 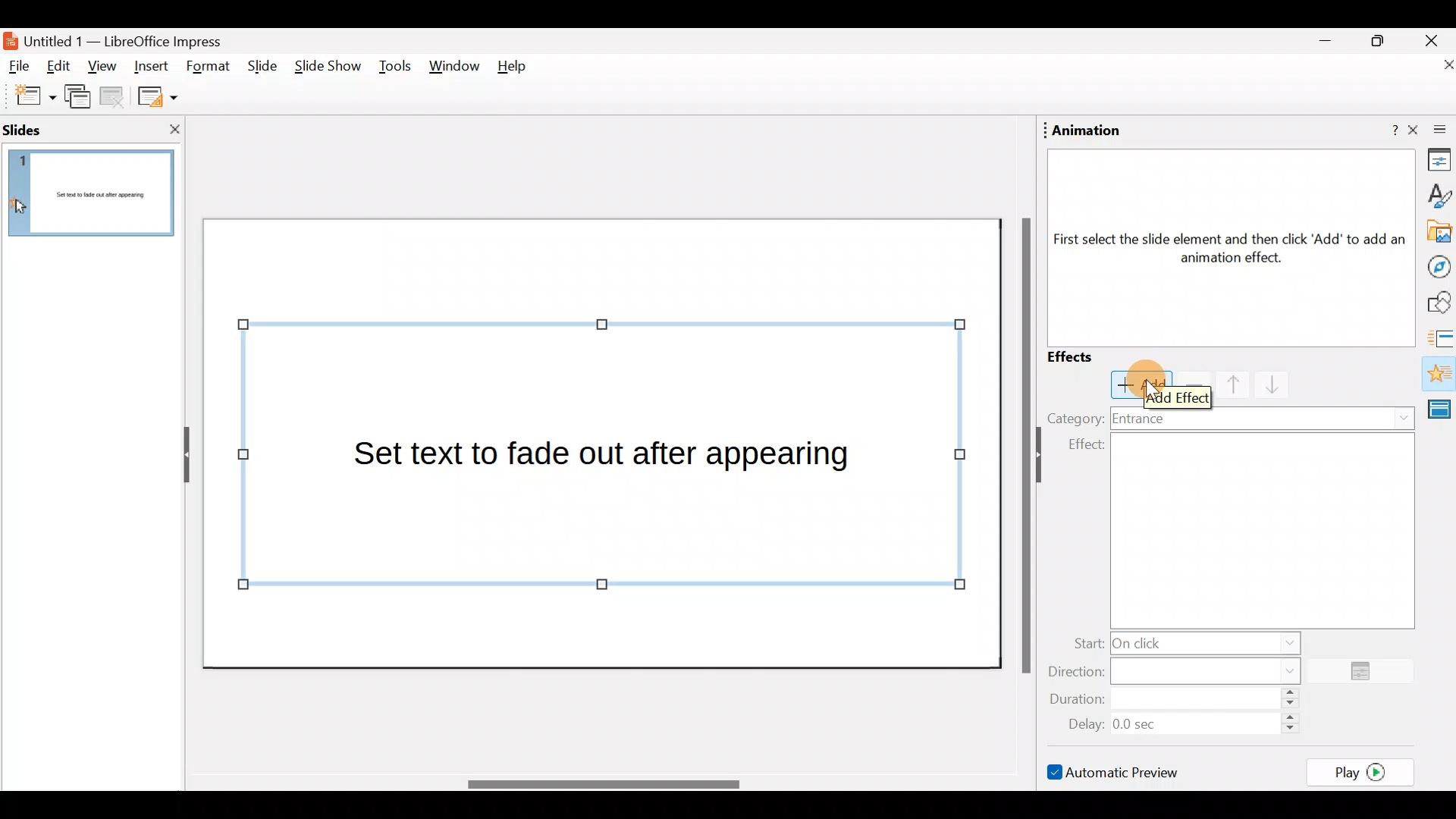 I want to click on Scroll bar, so click(x=1023, y=444).